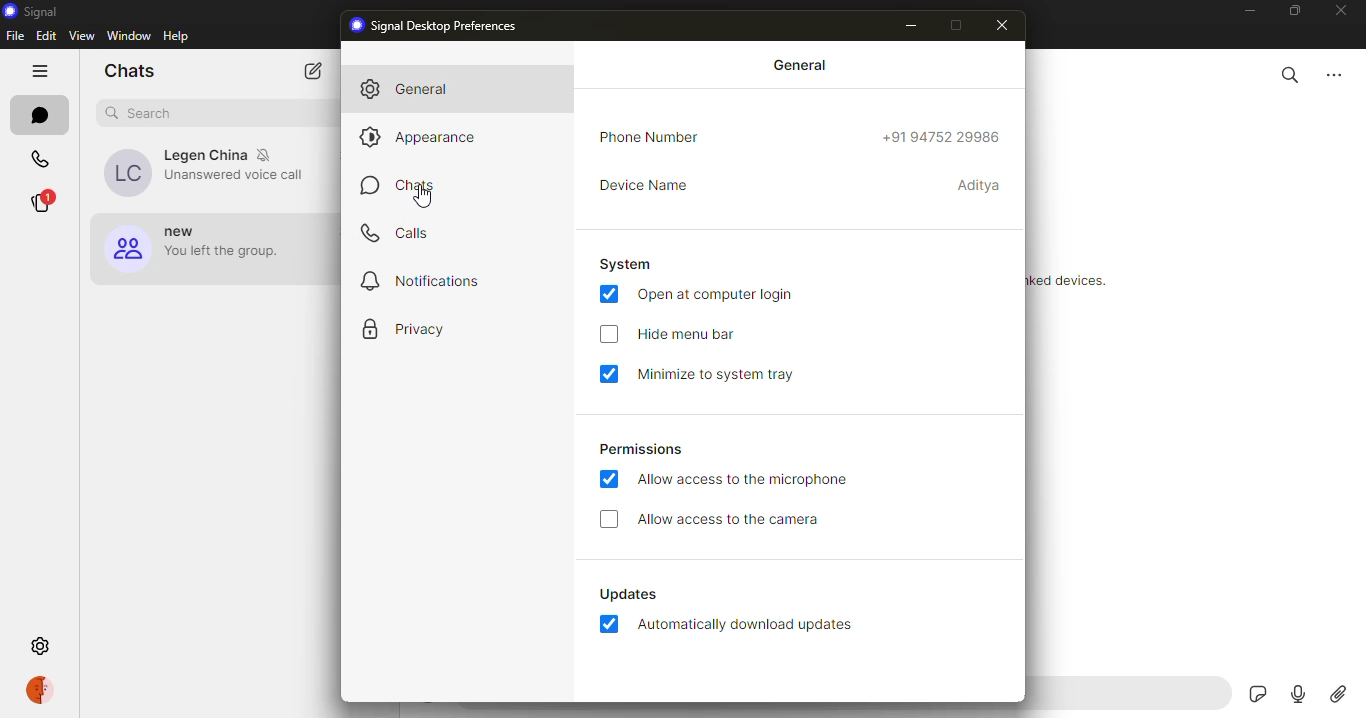 This screenshot has height=718, width=1366. I want to click on minimize, so click(910, 26).